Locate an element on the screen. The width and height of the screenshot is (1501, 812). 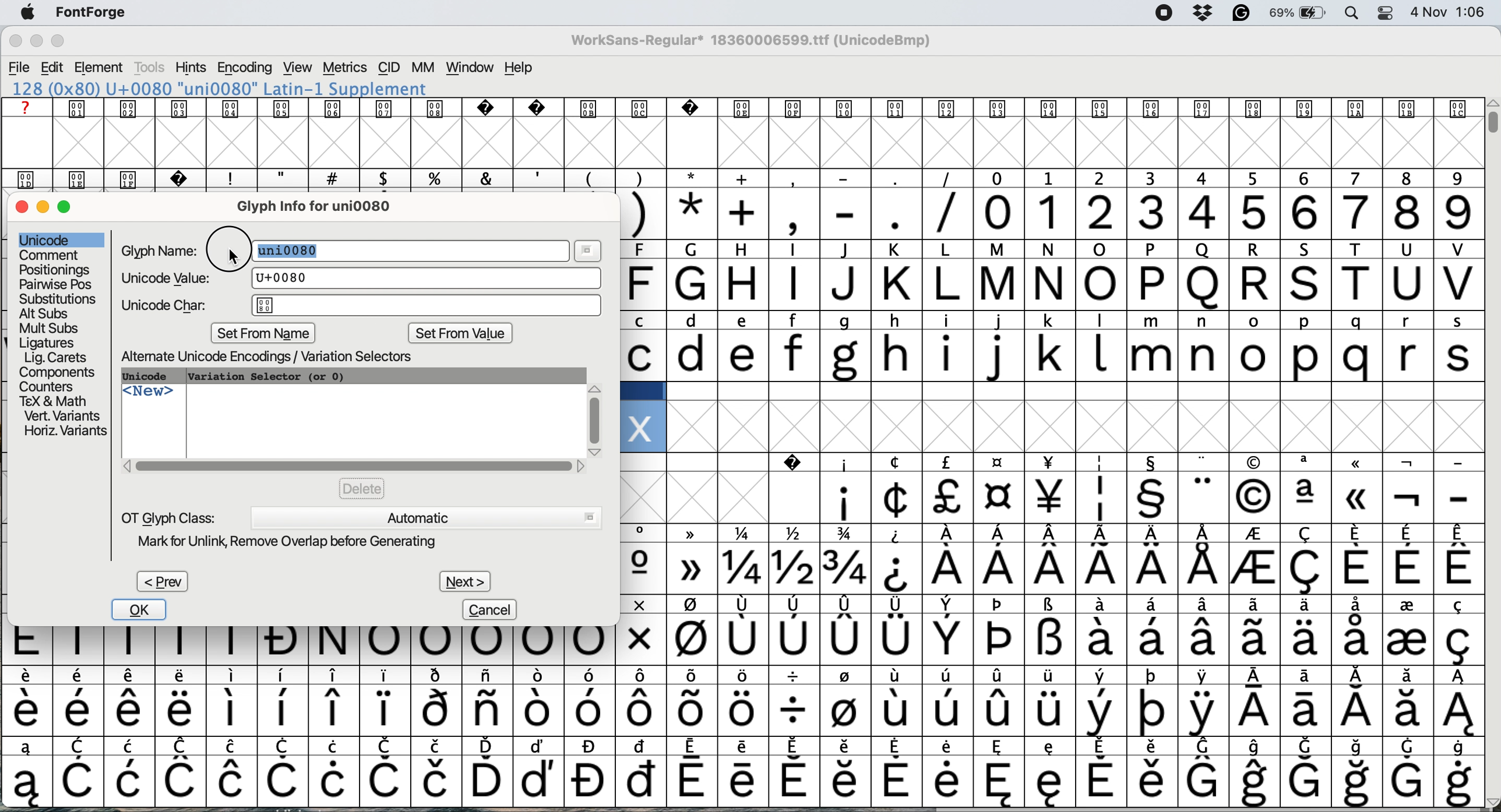
special characters is located at coordinates (1055, 569).